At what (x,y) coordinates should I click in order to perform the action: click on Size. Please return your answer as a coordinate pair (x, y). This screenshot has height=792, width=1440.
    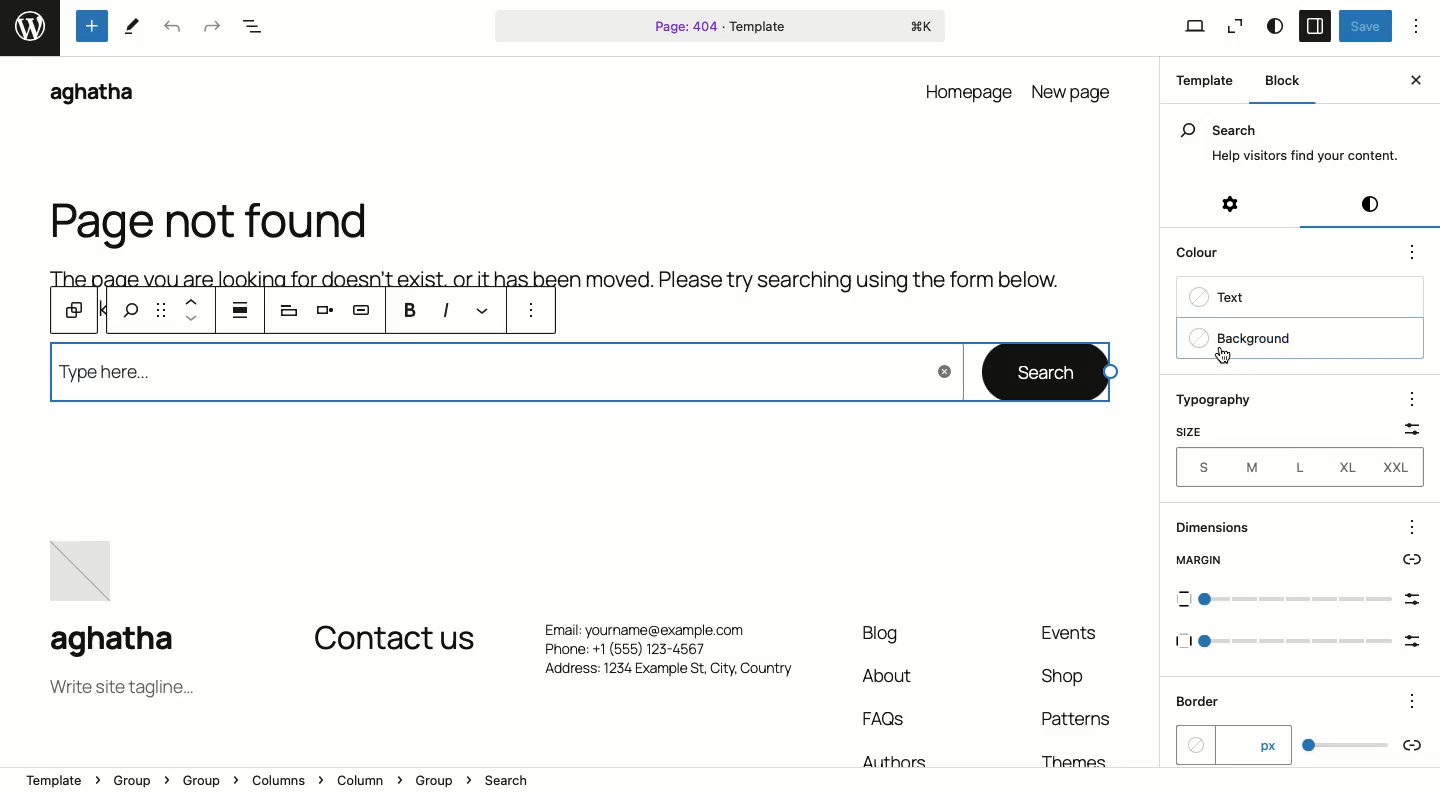
    Looking at the image, I should click on (1192, 431).